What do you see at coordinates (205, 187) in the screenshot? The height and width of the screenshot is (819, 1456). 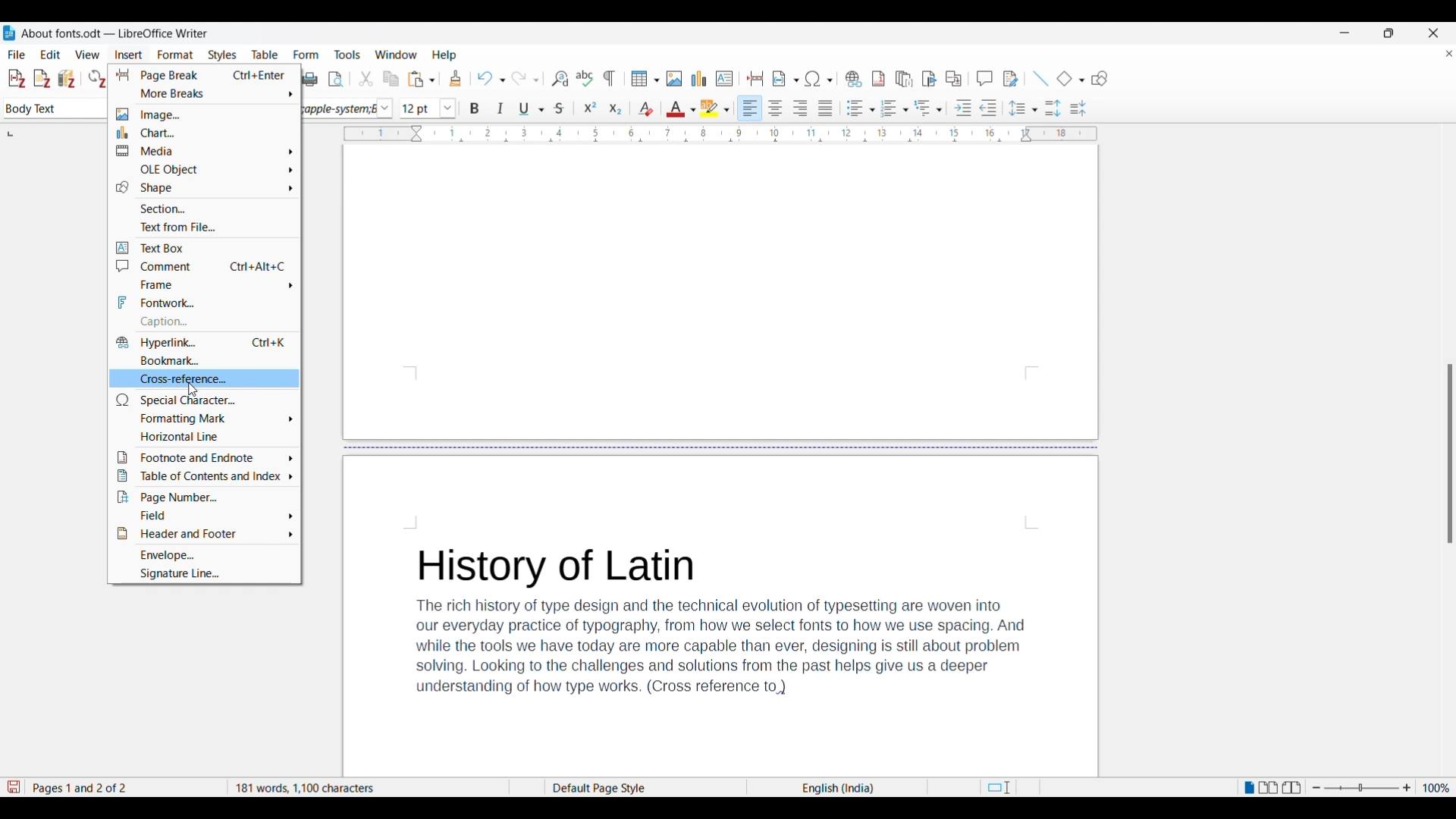 I see `Shape options` at bounding box center [205, 187].